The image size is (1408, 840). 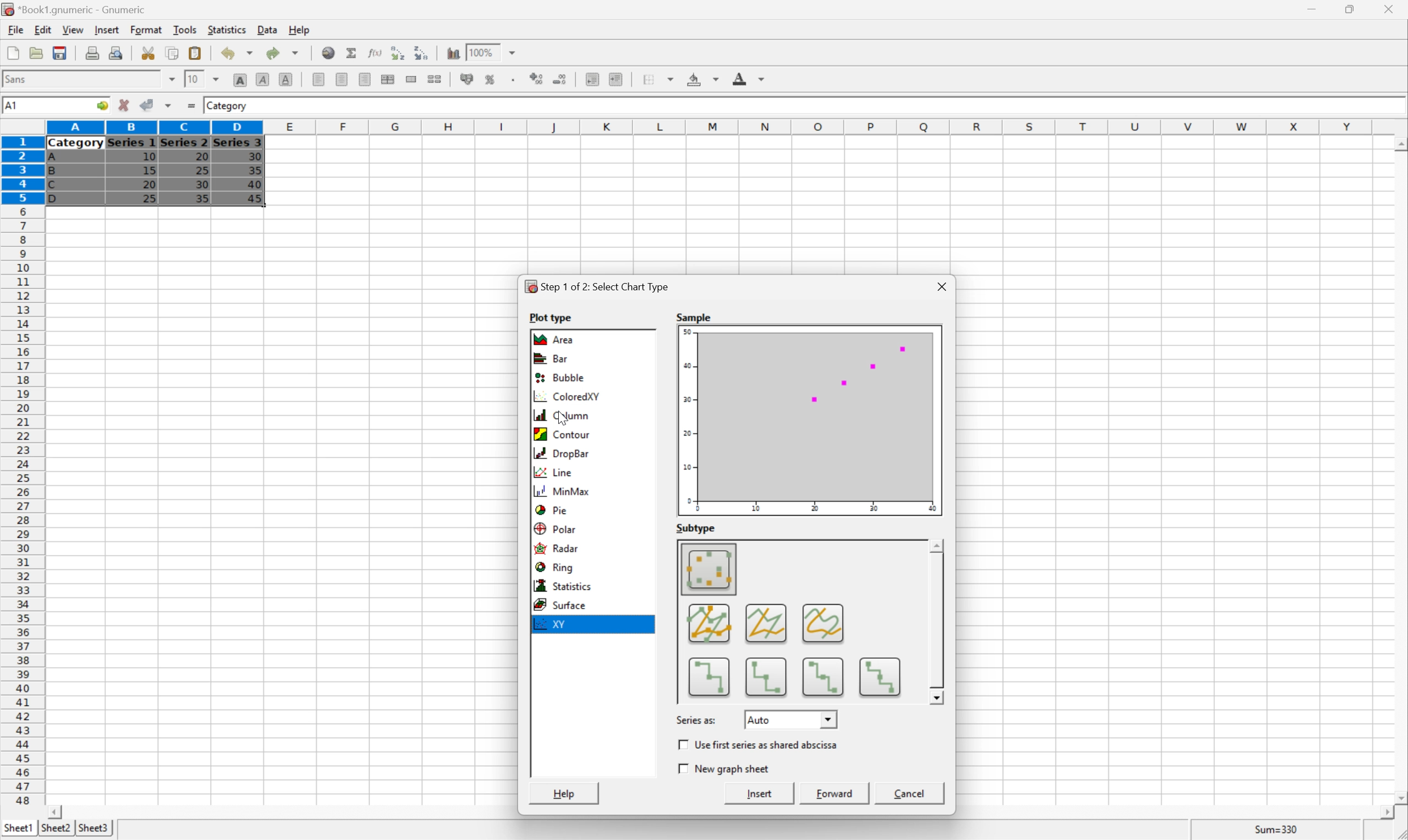 What do you see at coordinates (696, 529) in the screenshot?
I see `Subtype` at bounding box center [696, 529].